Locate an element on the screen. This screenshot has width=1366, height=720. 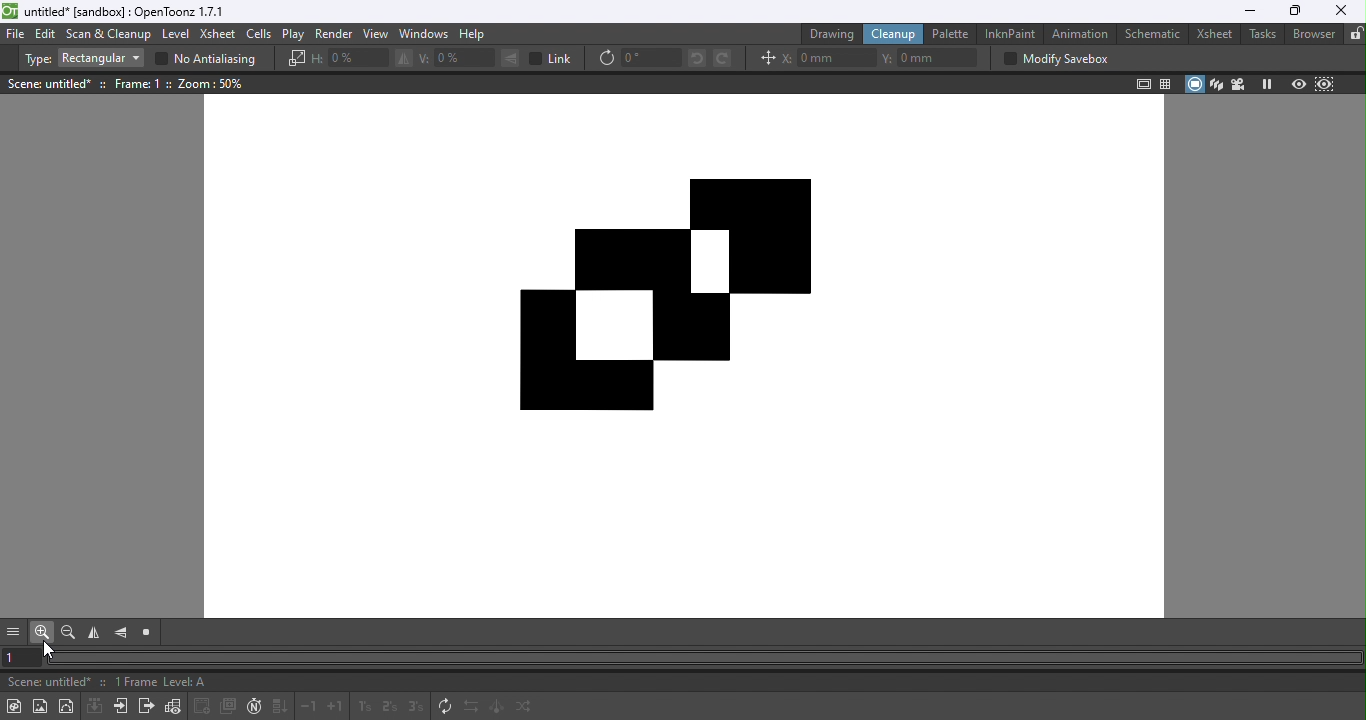
Frame level is located at coordinates (161, 683).